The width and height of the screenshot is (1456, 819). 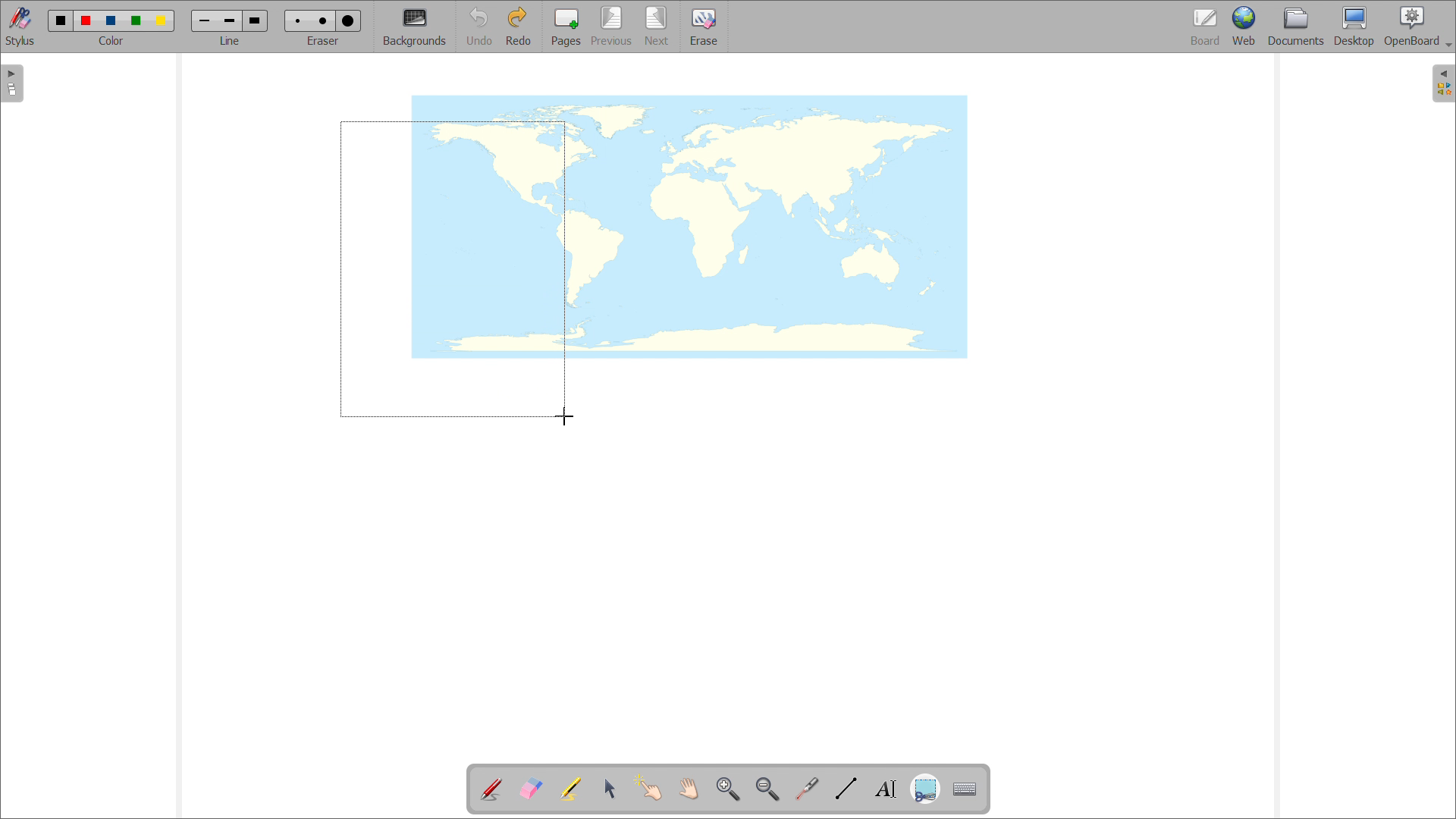 What do you see at coordinates (61, 19) in the screenshot?
I see `black` at bounding box center [61, 19].